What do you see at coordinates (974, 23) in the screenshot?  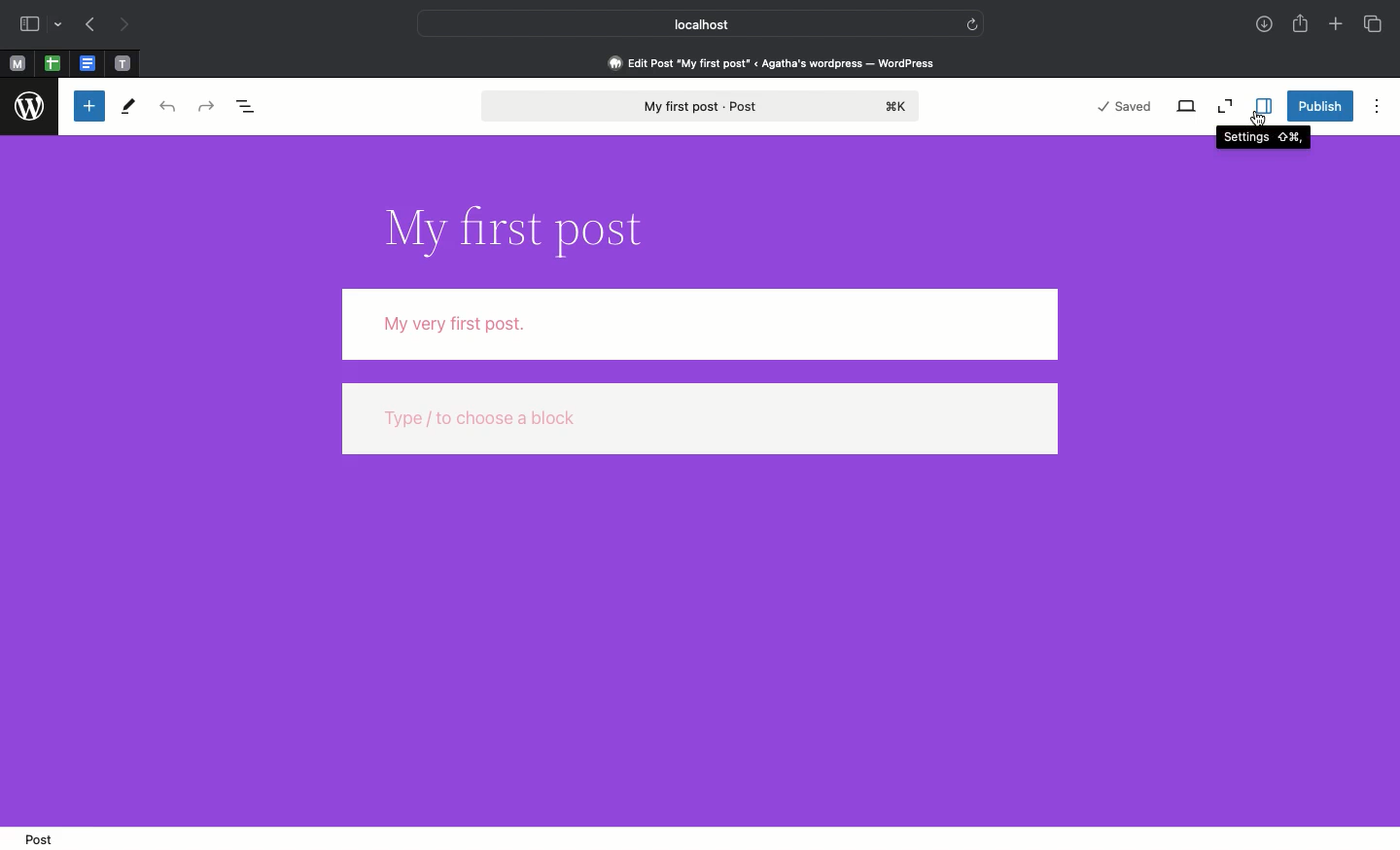 I see `refresh` at bounding box center [974, 23].